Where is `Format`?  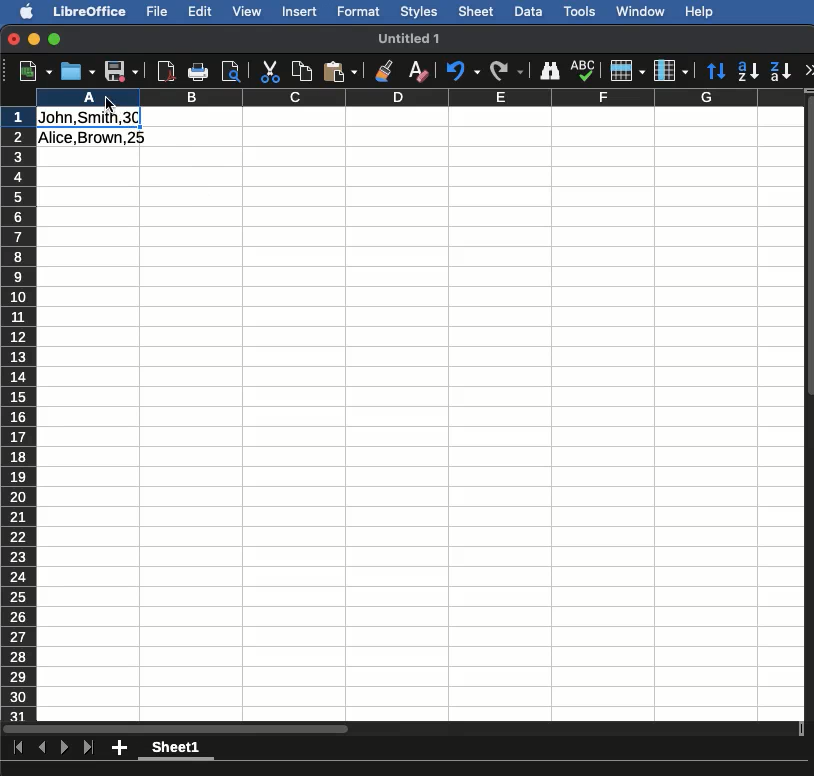
Format is located at coordinates (360, 13).